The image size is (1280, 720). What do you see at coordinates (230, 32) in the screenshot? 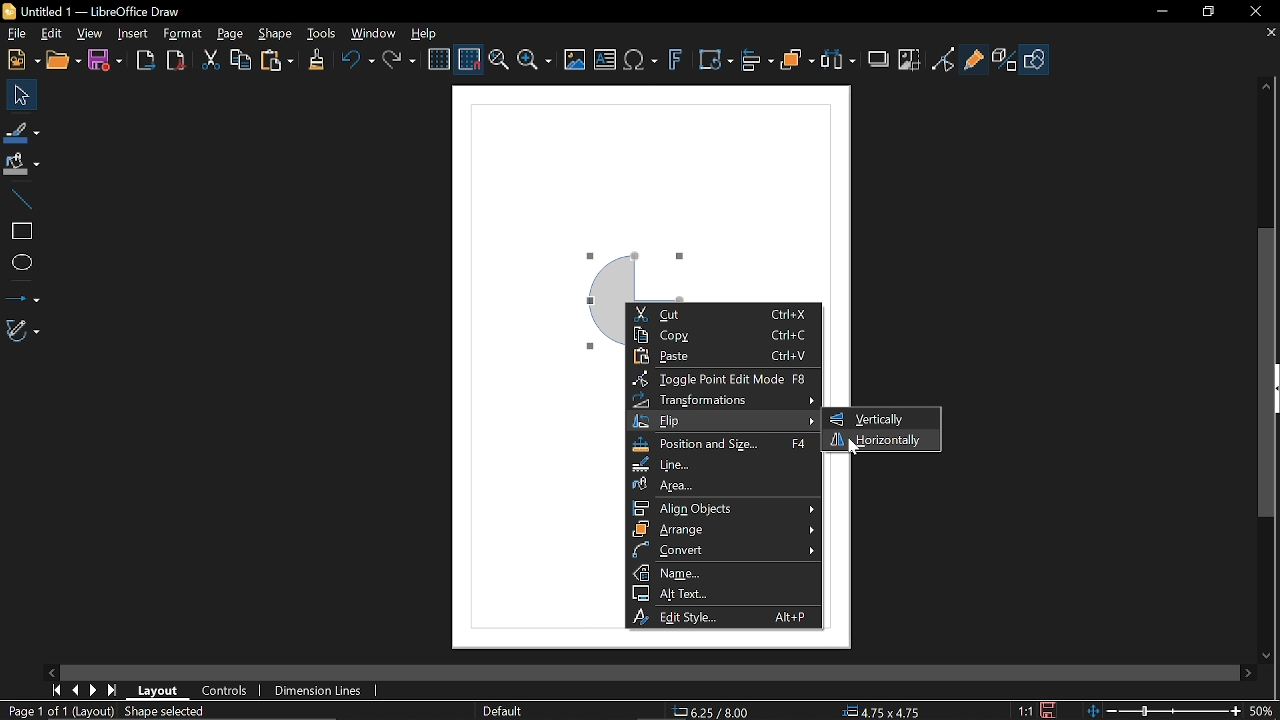
I see `page` at bounding box center [230, 32].